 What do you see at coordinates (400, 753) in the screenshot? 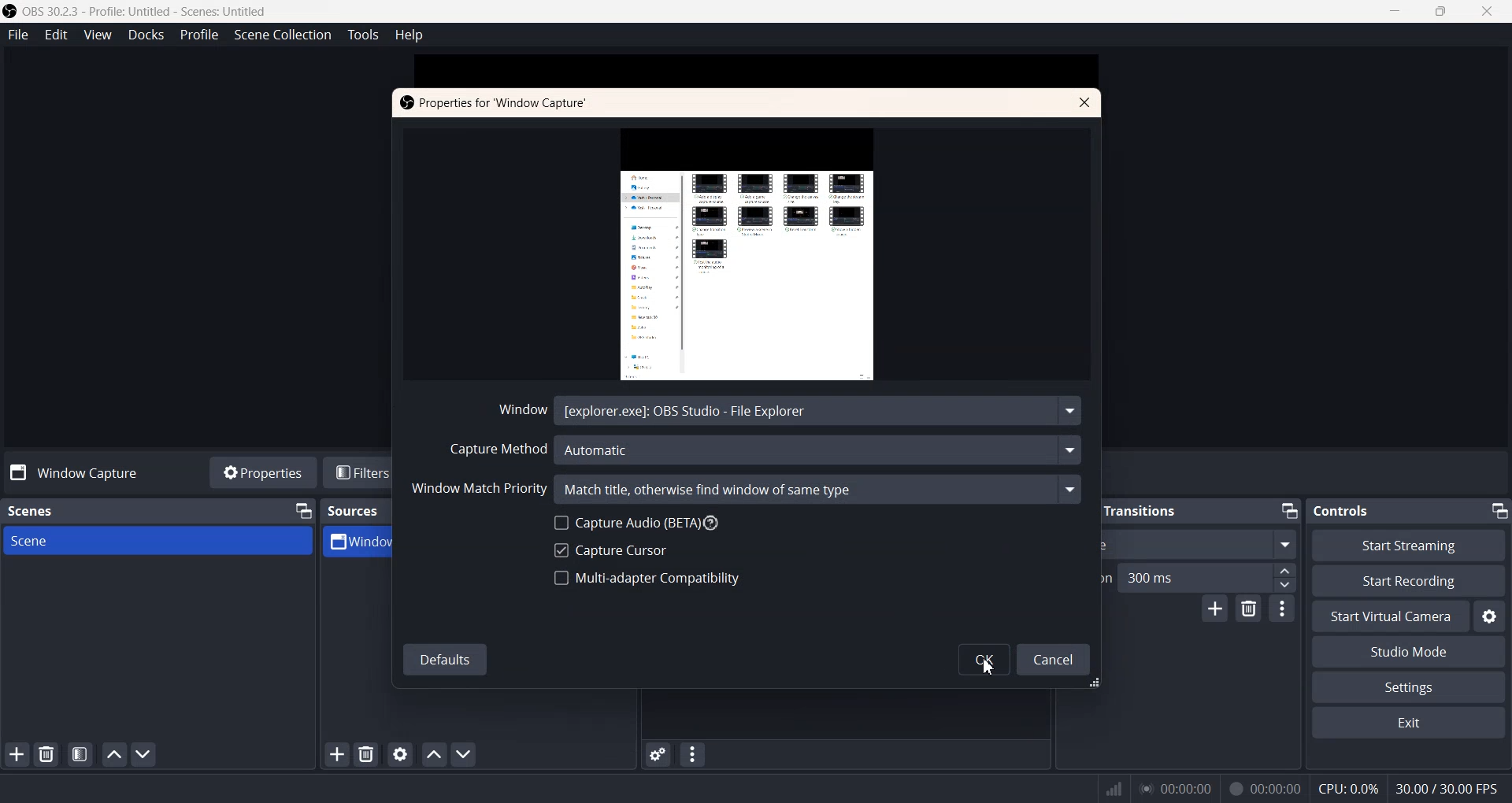
I see `Open source properties` at bounding box center [400, 753].